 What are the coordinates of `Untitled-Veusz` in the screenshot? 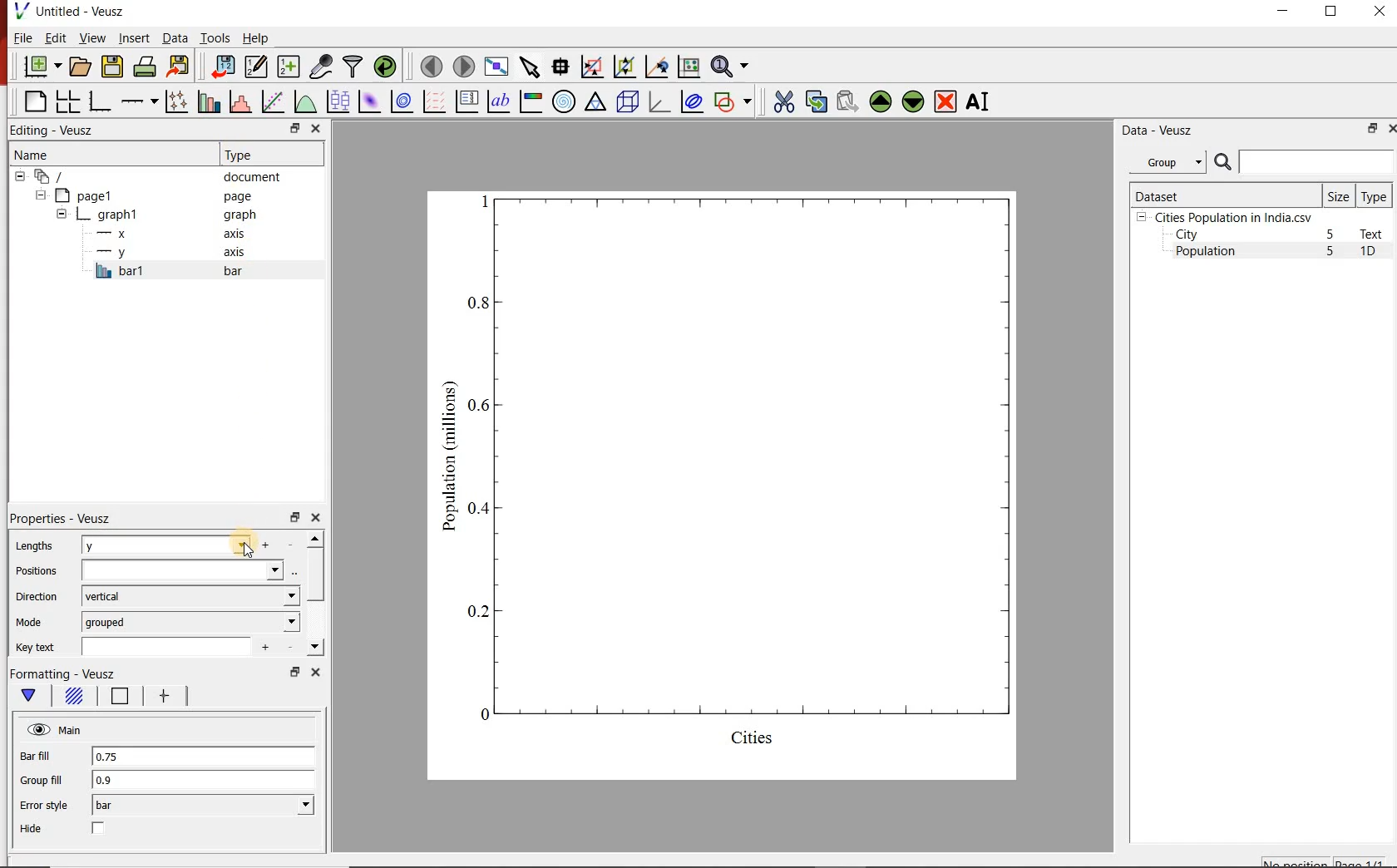 It's located at (71, 12).